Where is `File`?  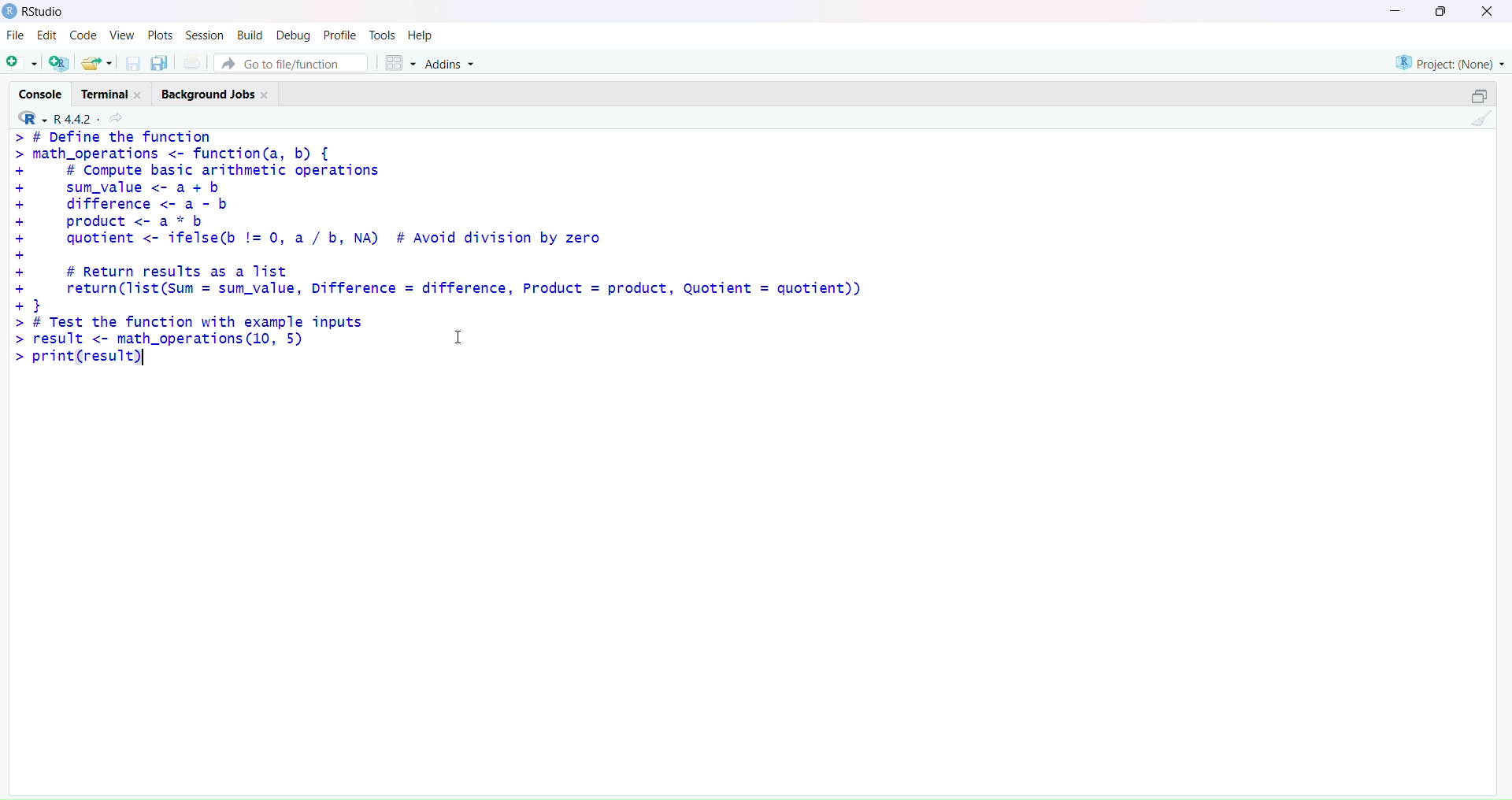 File is located at coordinates (13, 36).